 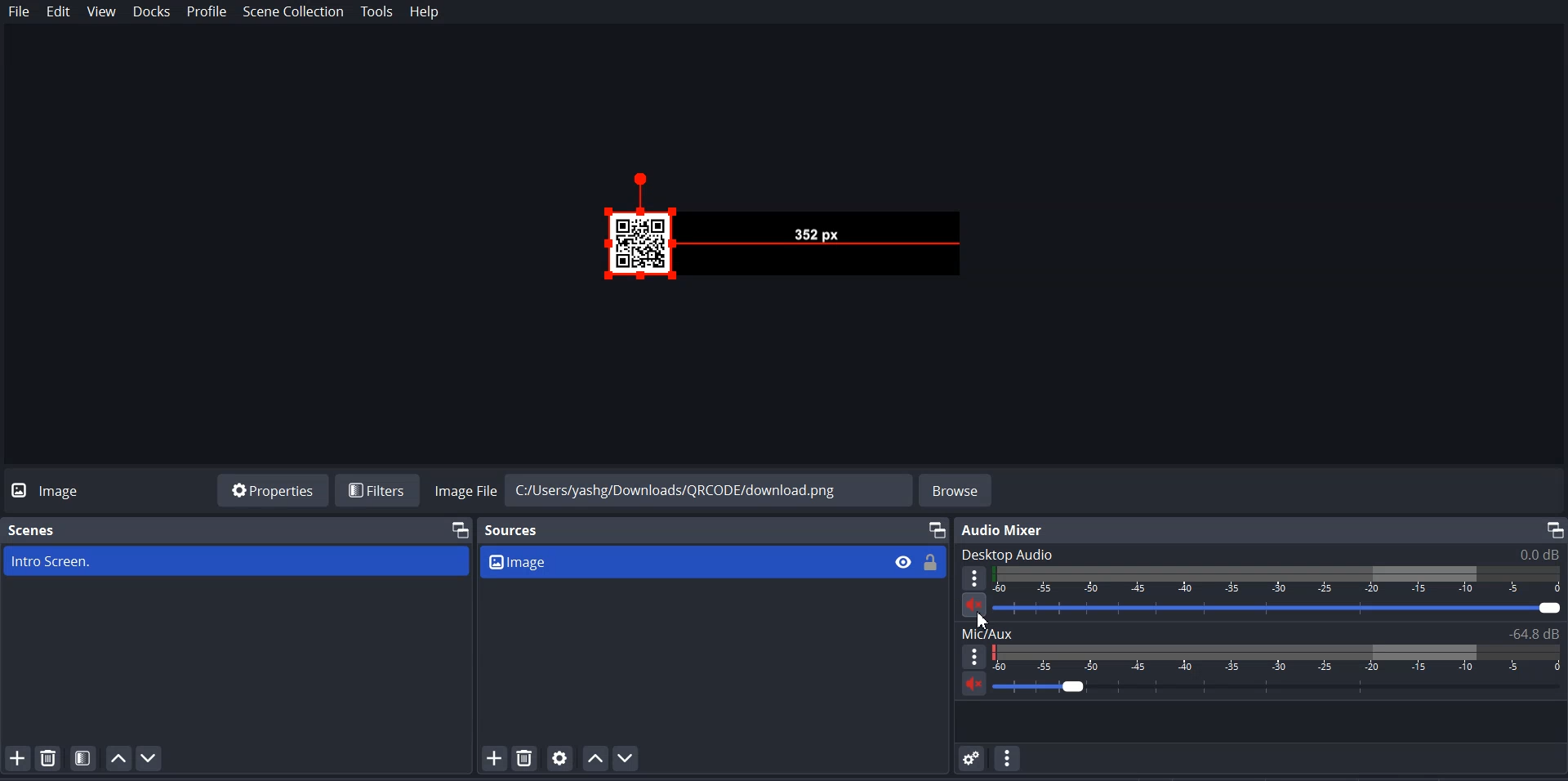 I want to click on Move scene Up, so click(x=117, y=758).